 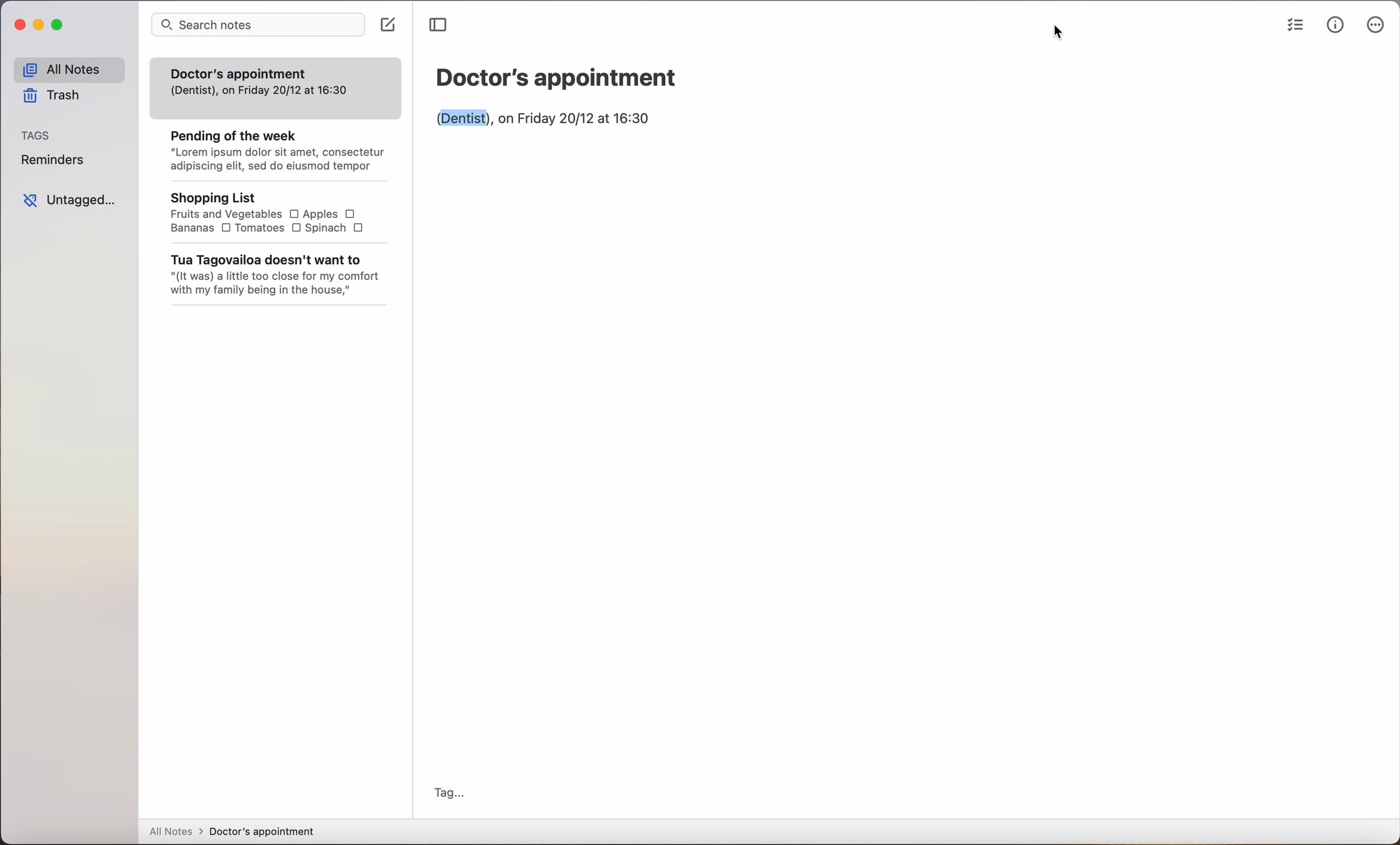 I want to click on cursor, so click(x=1060, y=31).